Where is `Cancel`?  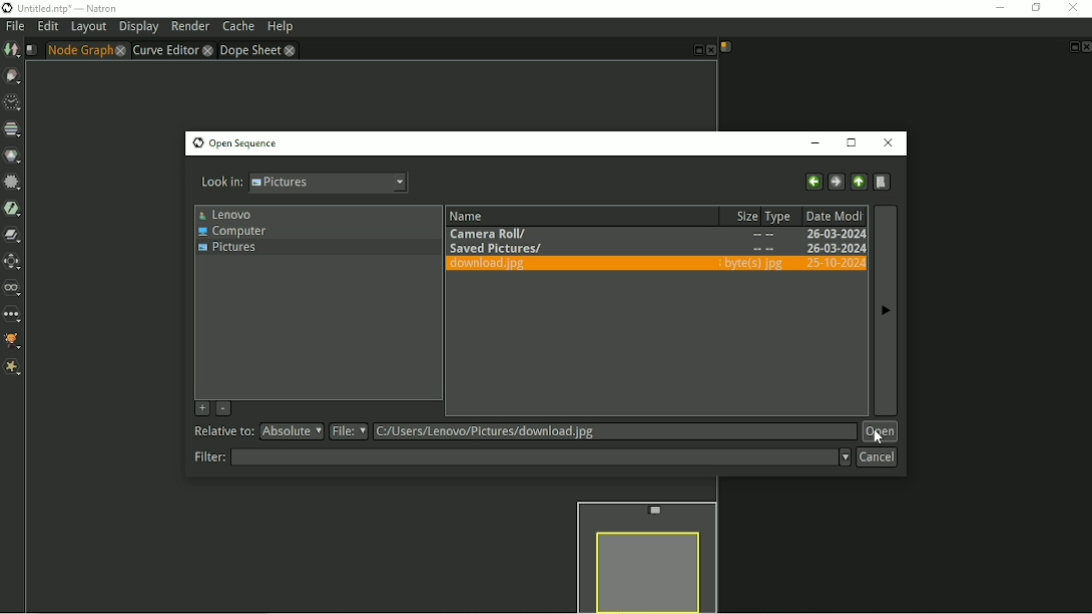
Cancel is located at coordinates (876, 457).